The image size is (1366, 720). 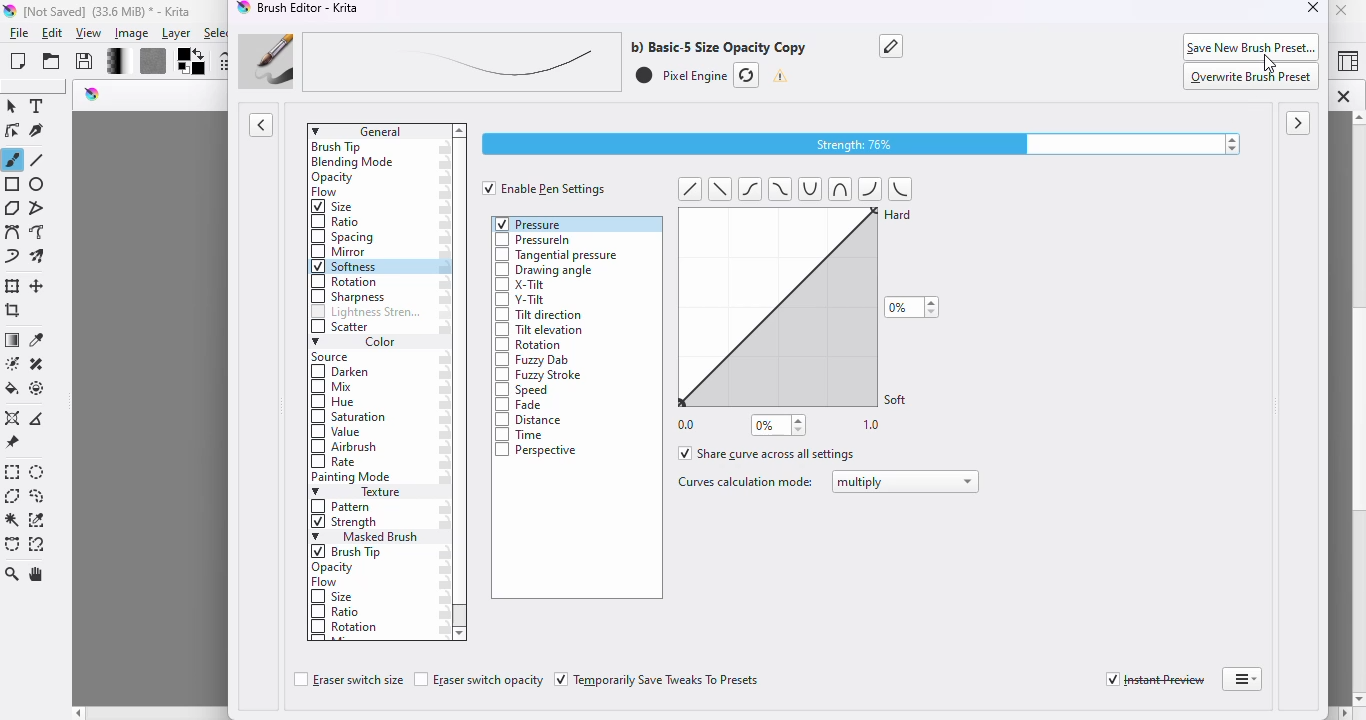 I want to click on text tool, so click(x=39, y=106).